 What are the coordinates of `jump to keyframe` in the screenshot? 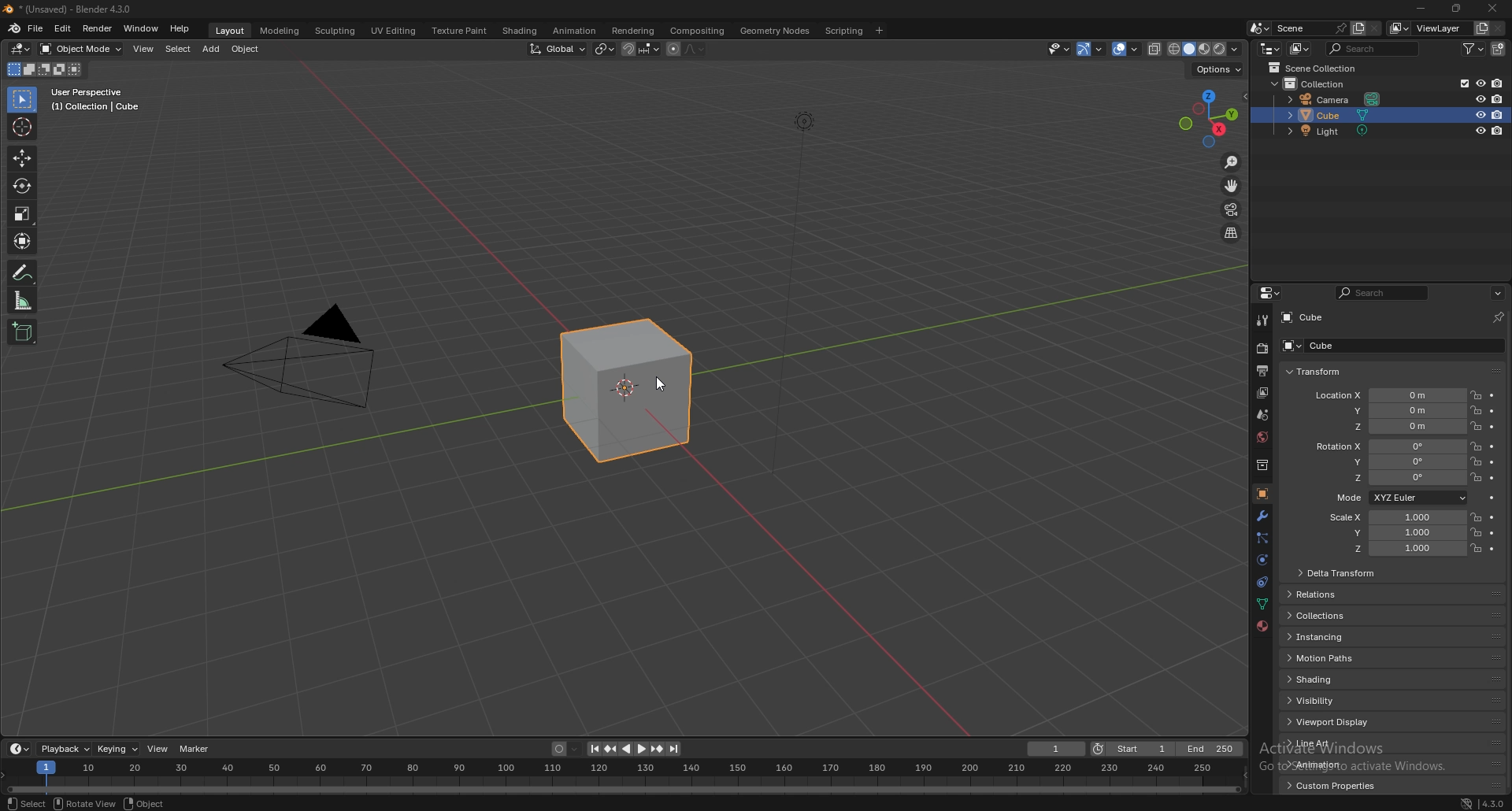 It's located at (658, 749).